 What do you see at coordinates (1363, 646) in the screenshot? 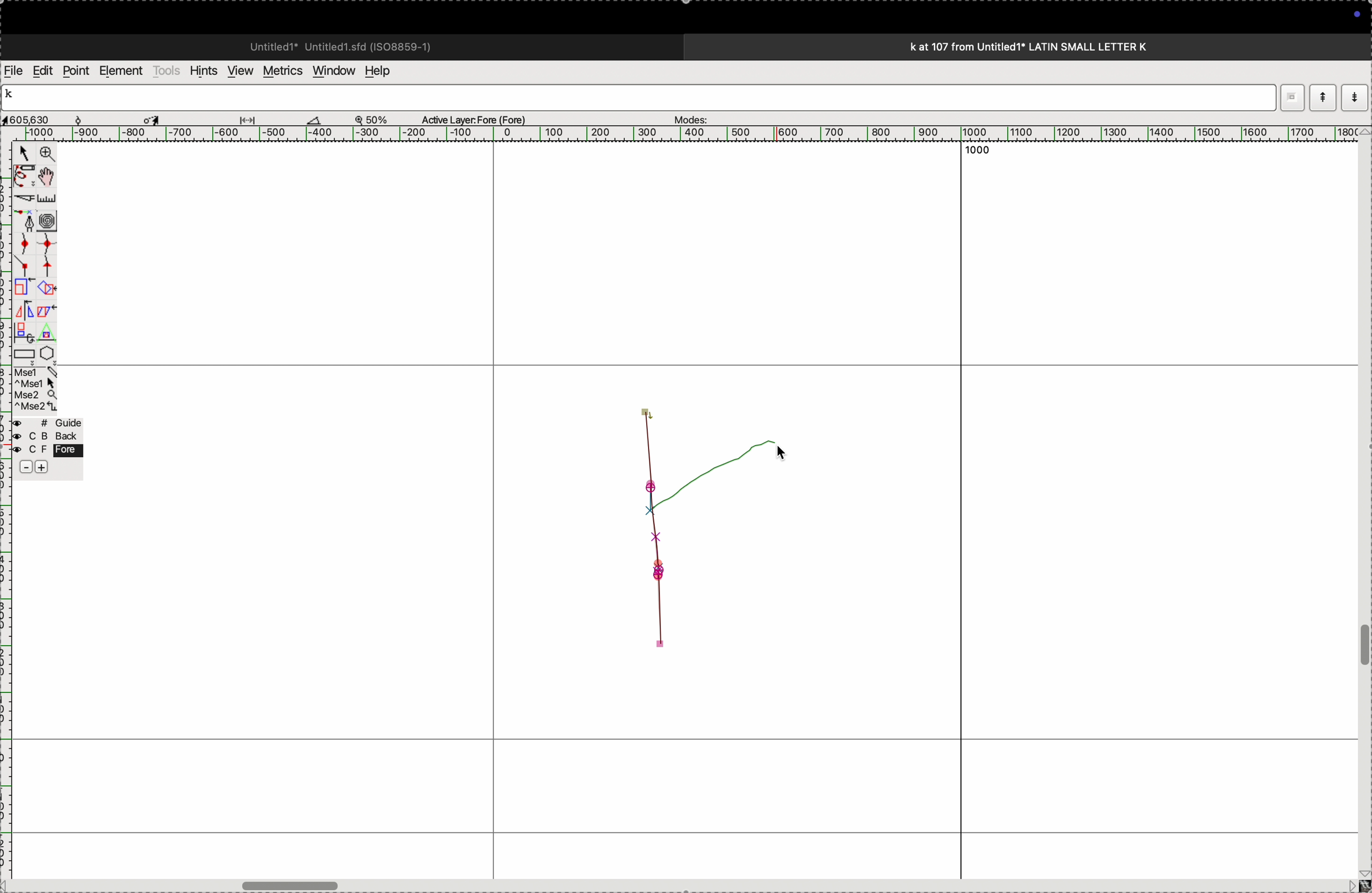
I see `toggle` at bounding box center [1363, 646].